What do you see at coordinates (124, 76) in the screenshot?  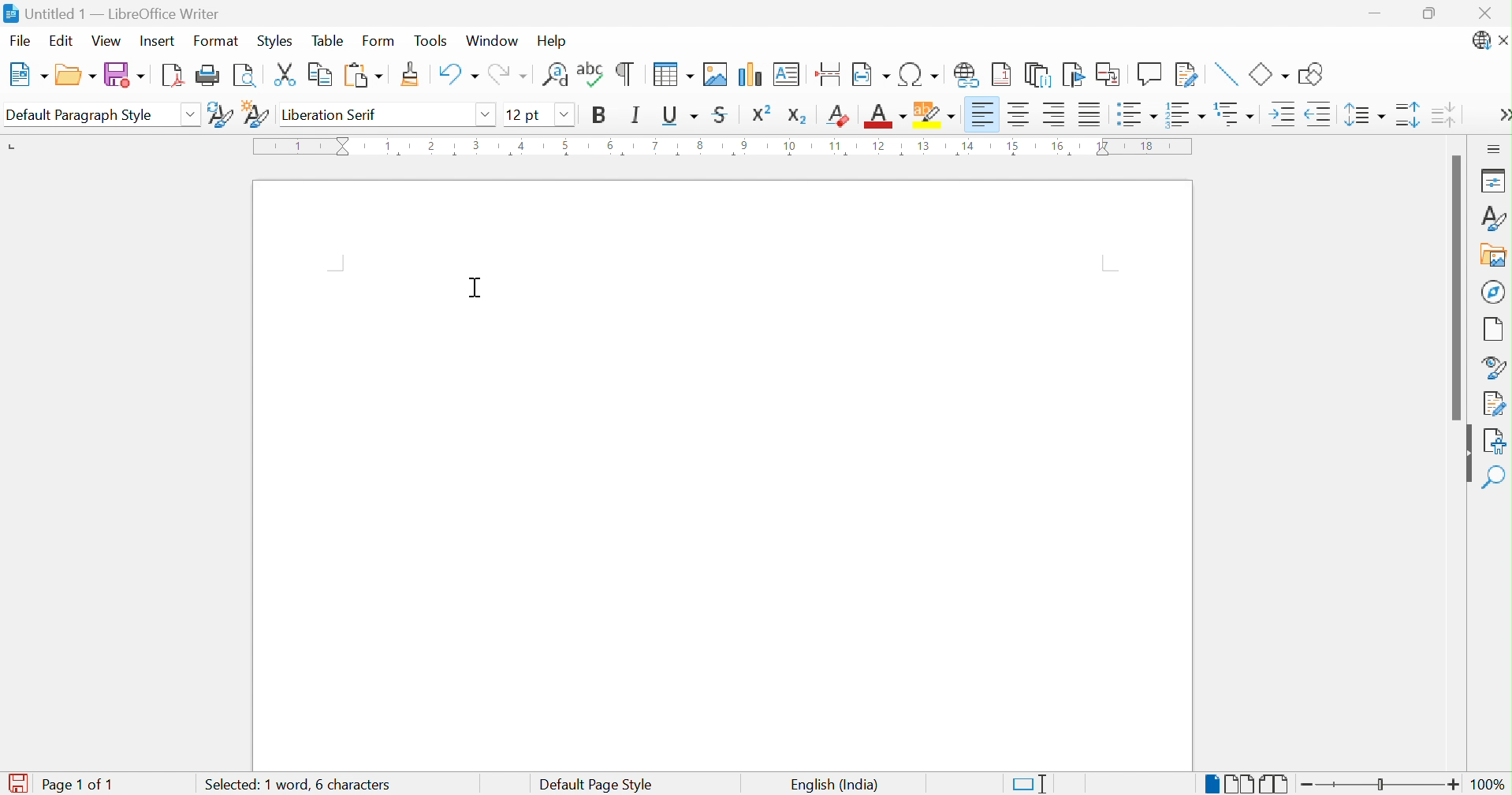 I see `Save` at bounding box center [124, 76].